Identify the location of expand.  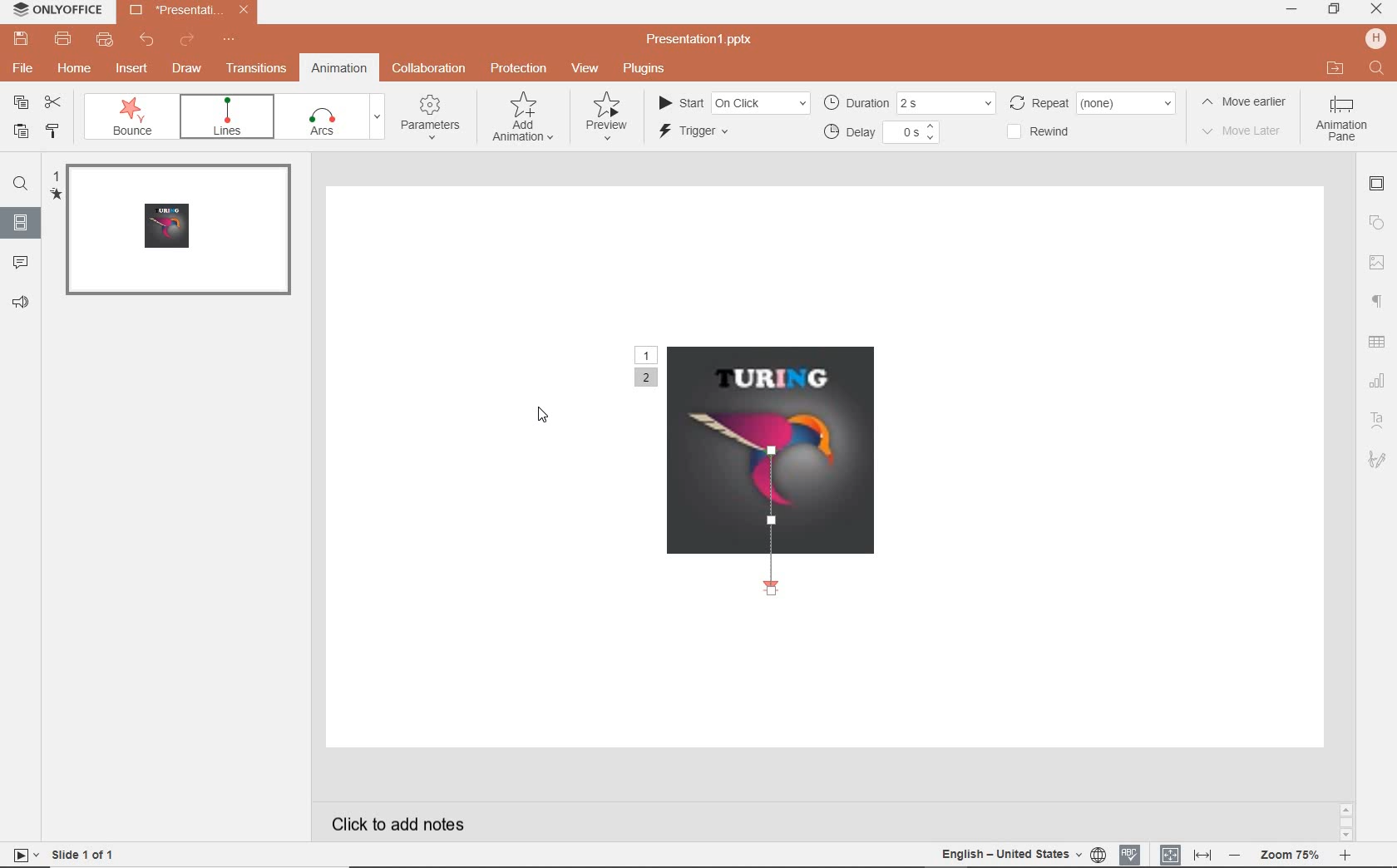
(379, 116).